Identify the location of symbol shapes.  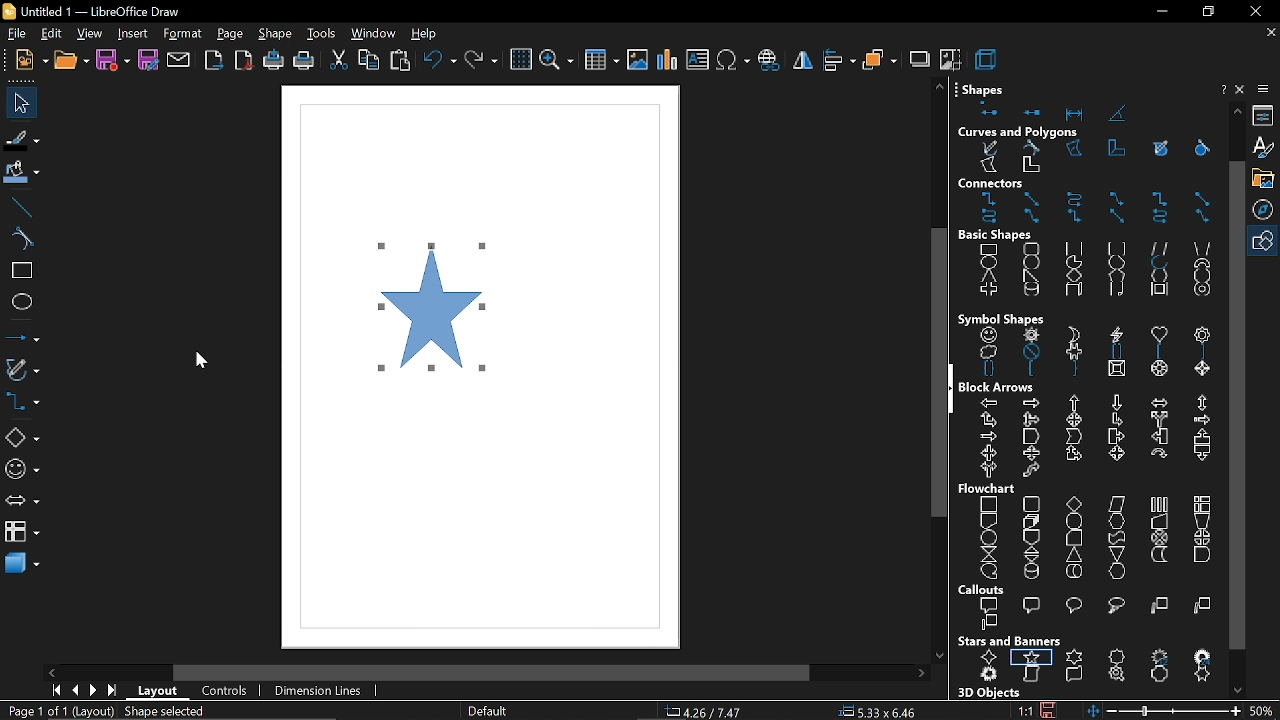
(1090, 353).